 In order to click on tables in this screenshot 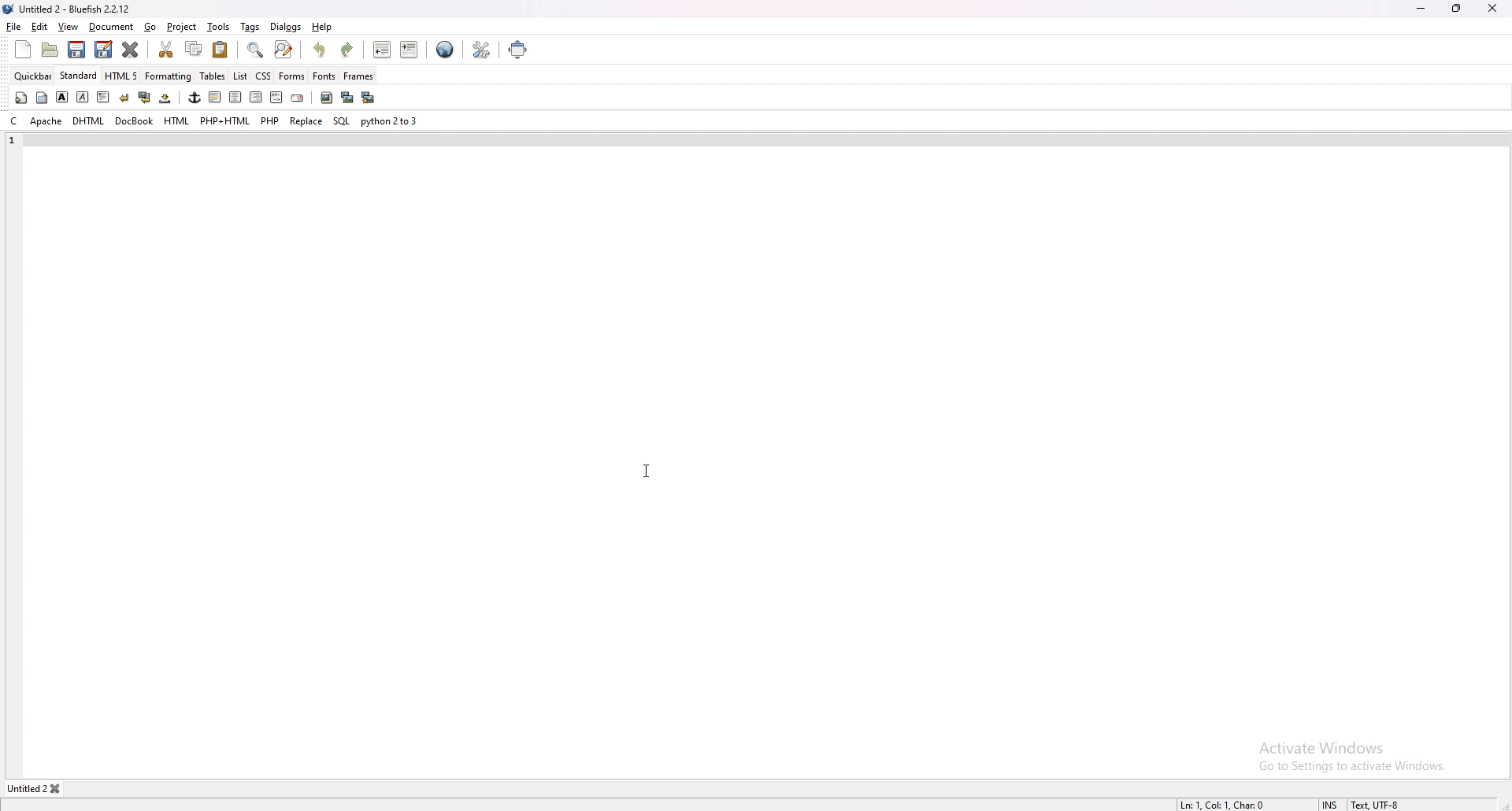, I will do `click(213, 76)`.